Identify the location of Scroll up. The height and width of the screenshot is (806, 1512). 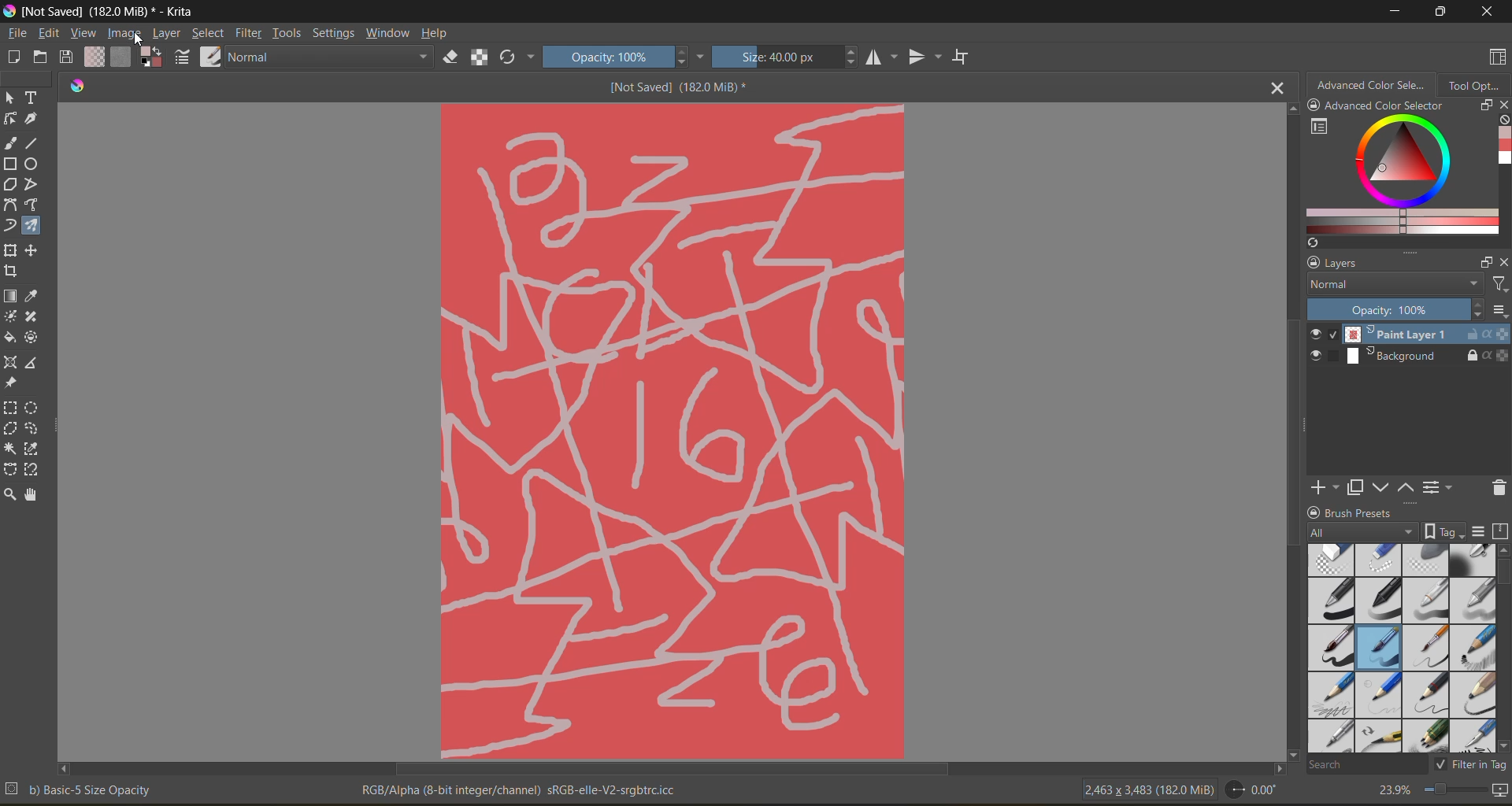
(1290, 109).